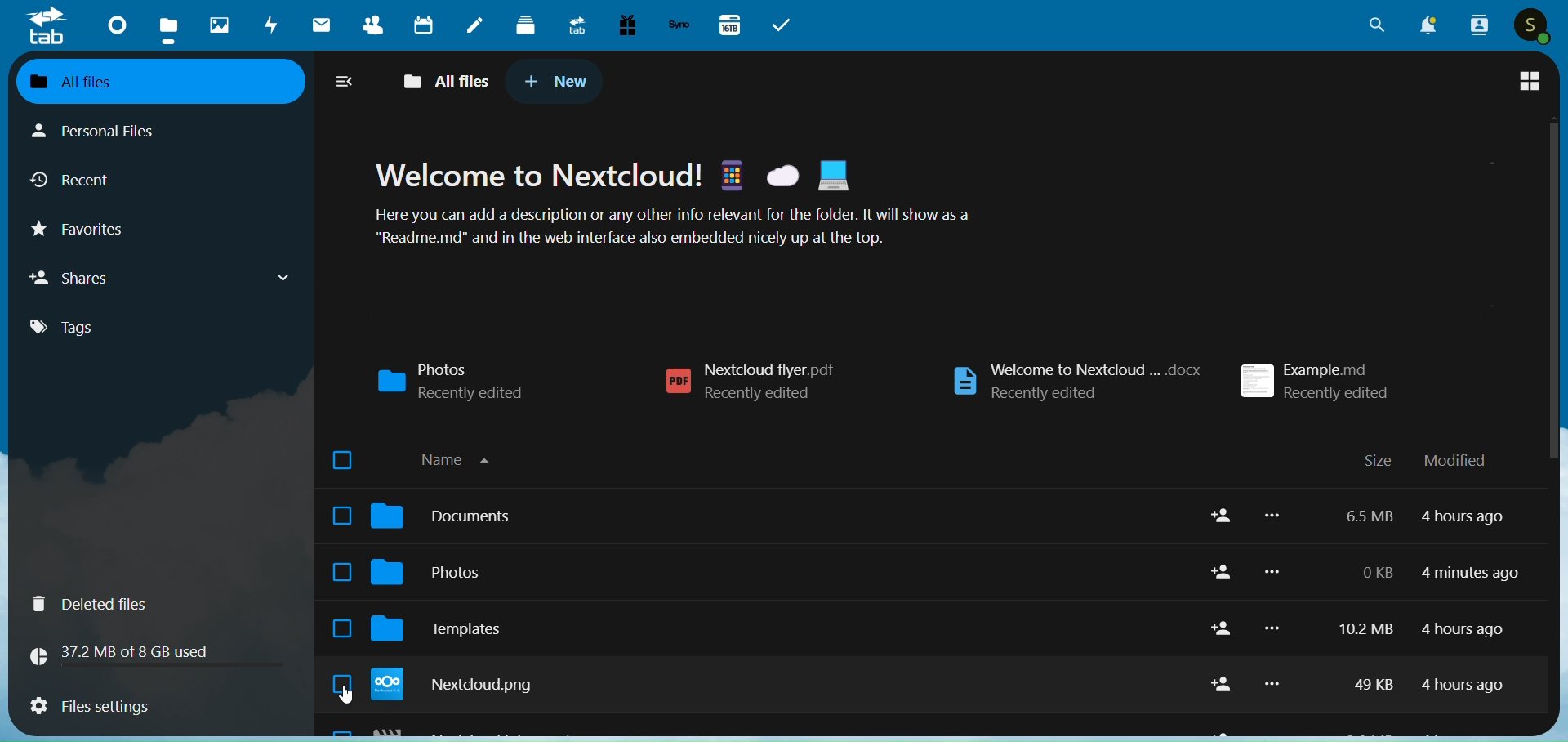 The width and height of the screenshot is (1568, 742). I want to click on Cursor, so click(345, 695).